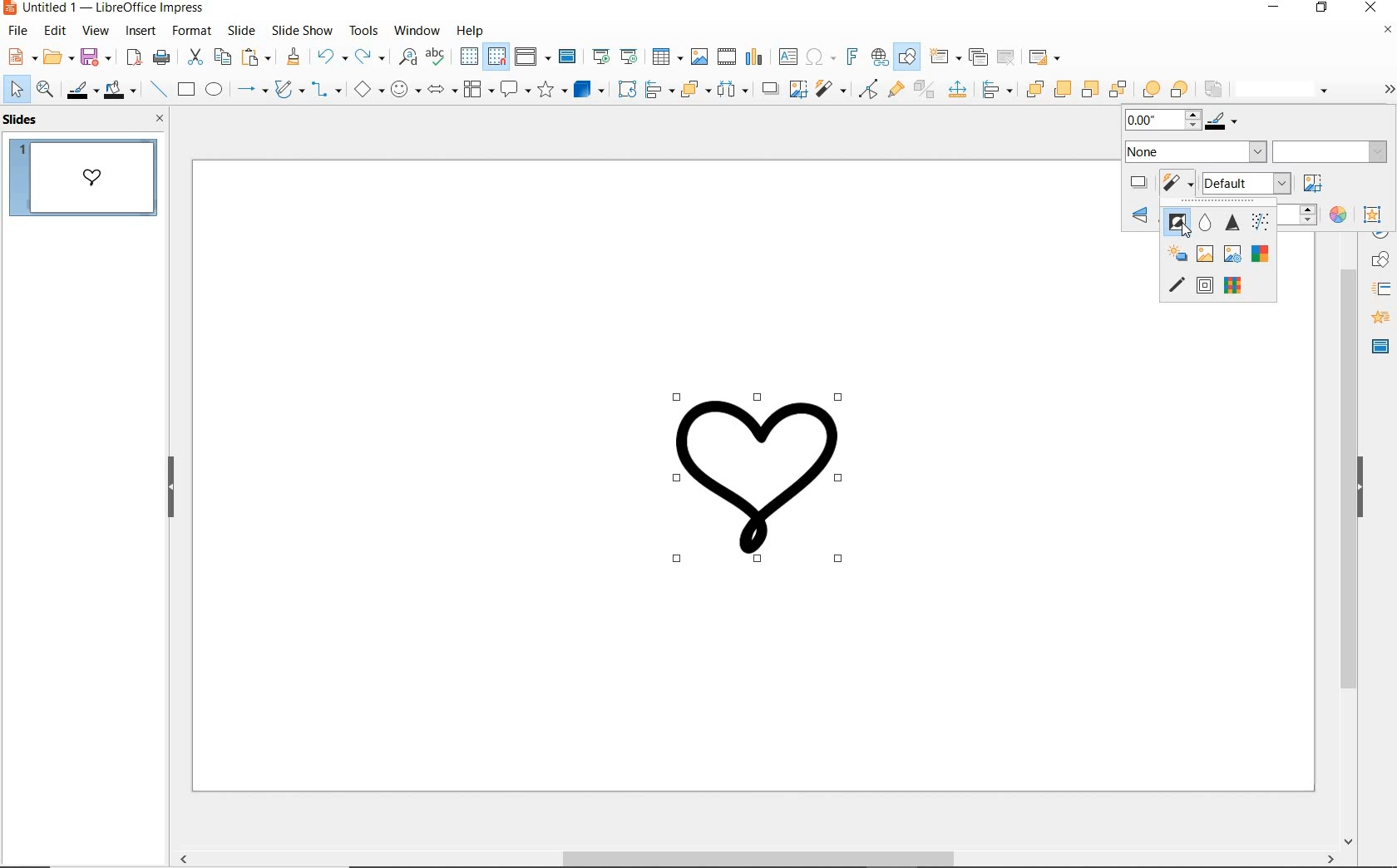 This screenshot has height=868, width=1397. What do you see at coordinates (693, 90) in the screenshot?
I see `arrange` at bounding box center [693, 90].